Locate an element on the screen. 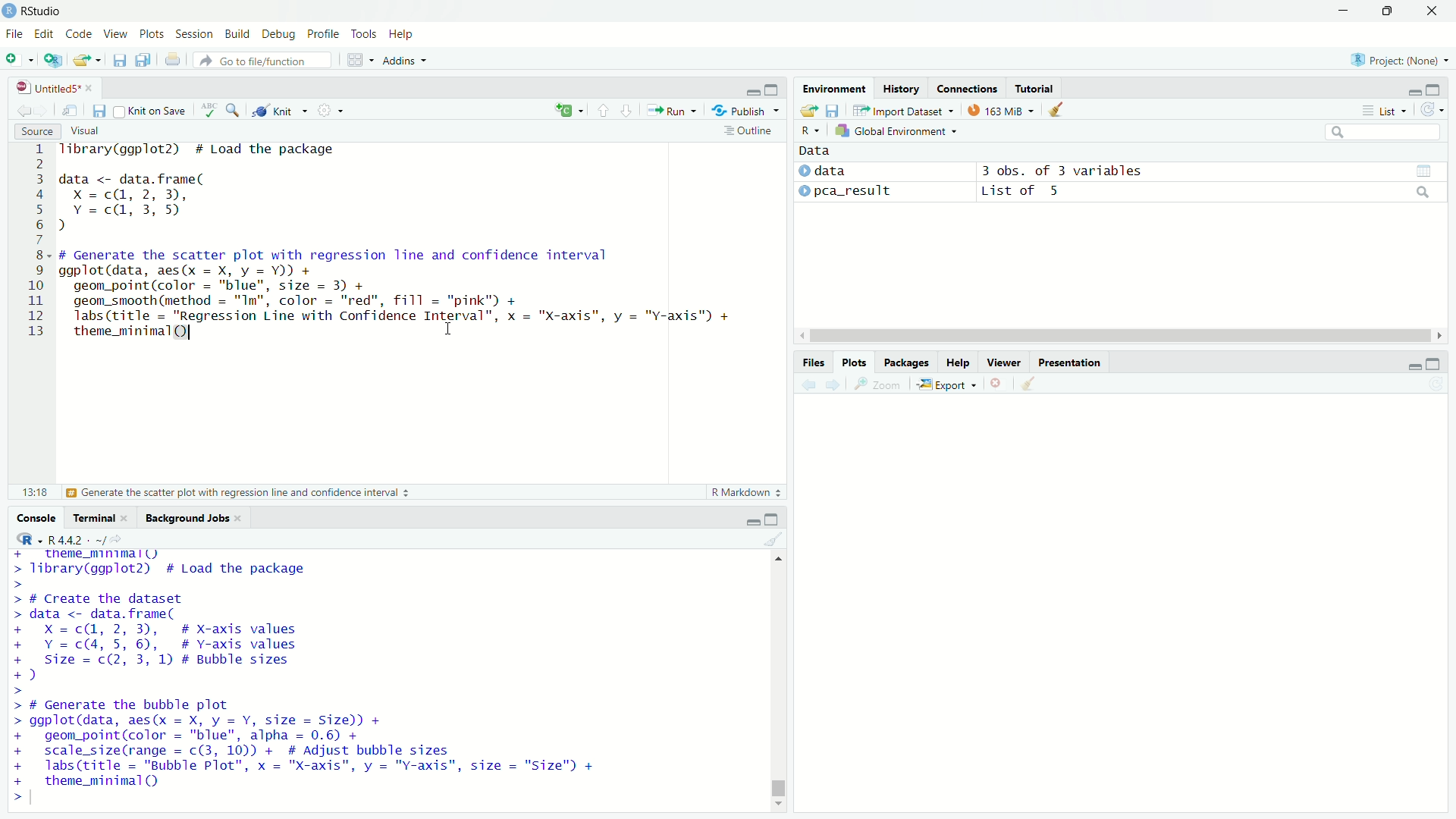 This screenshot has width=1456, height=819. expand is located at coordinates (1434, 362).